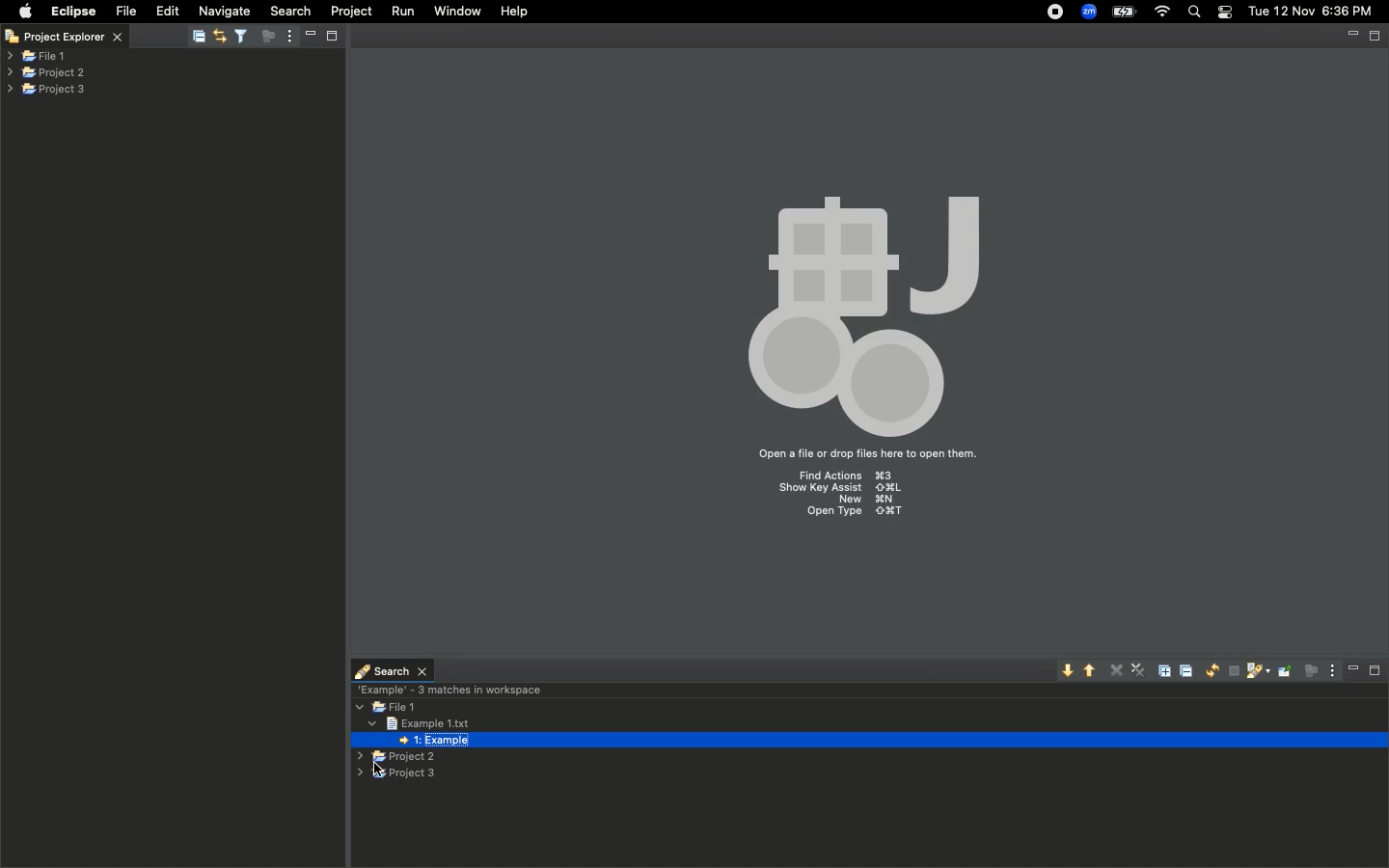 Image resolution: width=1389 pixels, height=868 pixels. What do you see at coordinates (1309, 670) in the screenshot?
I see `Focus on active tasks` at bounding box center [1309, 670].